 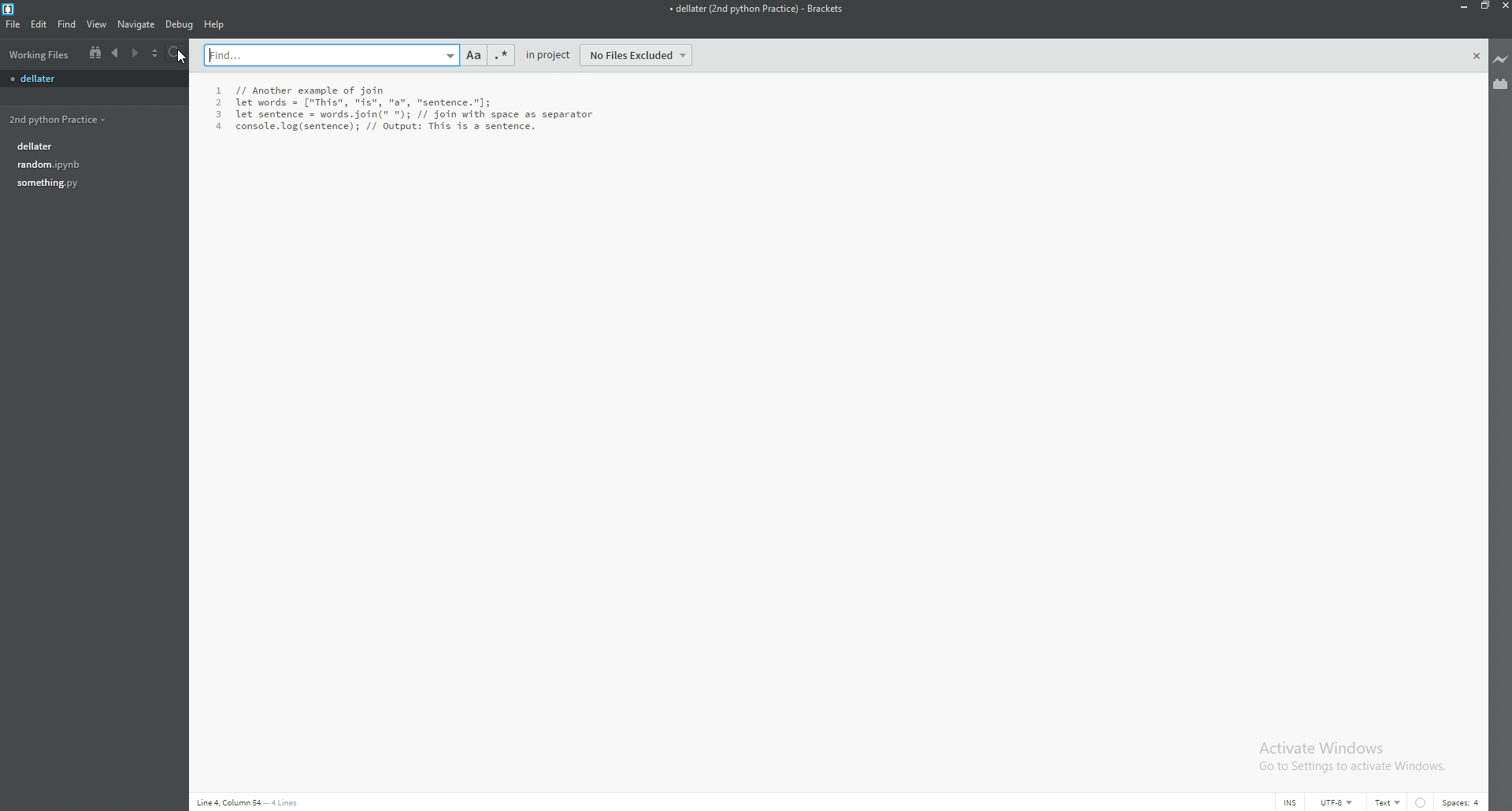 I want to click on find, so click(x=66, y=24).